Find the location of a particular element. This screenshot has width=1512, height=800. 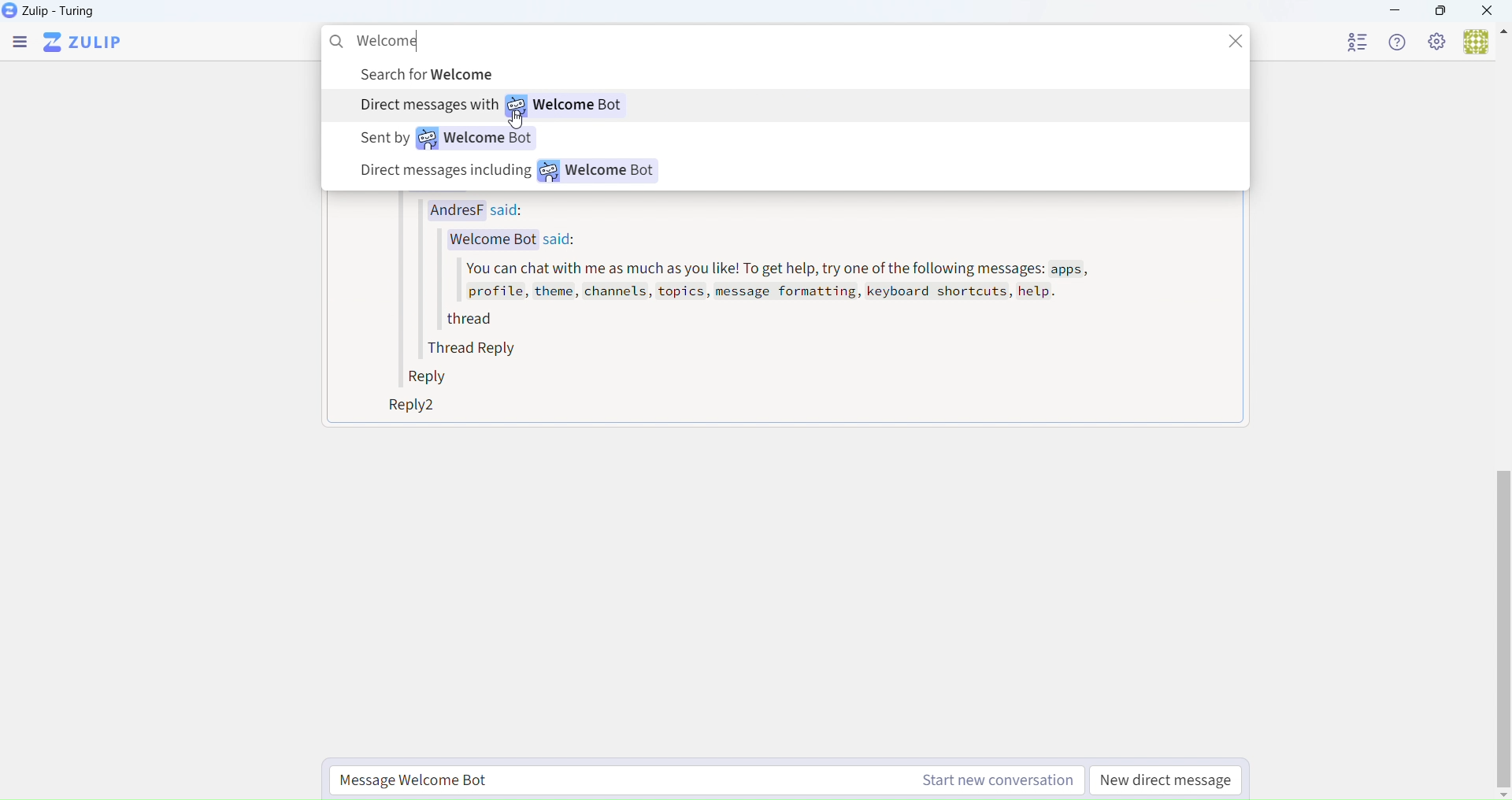

vertical scroll bar is located at coordinates (1503, 631).